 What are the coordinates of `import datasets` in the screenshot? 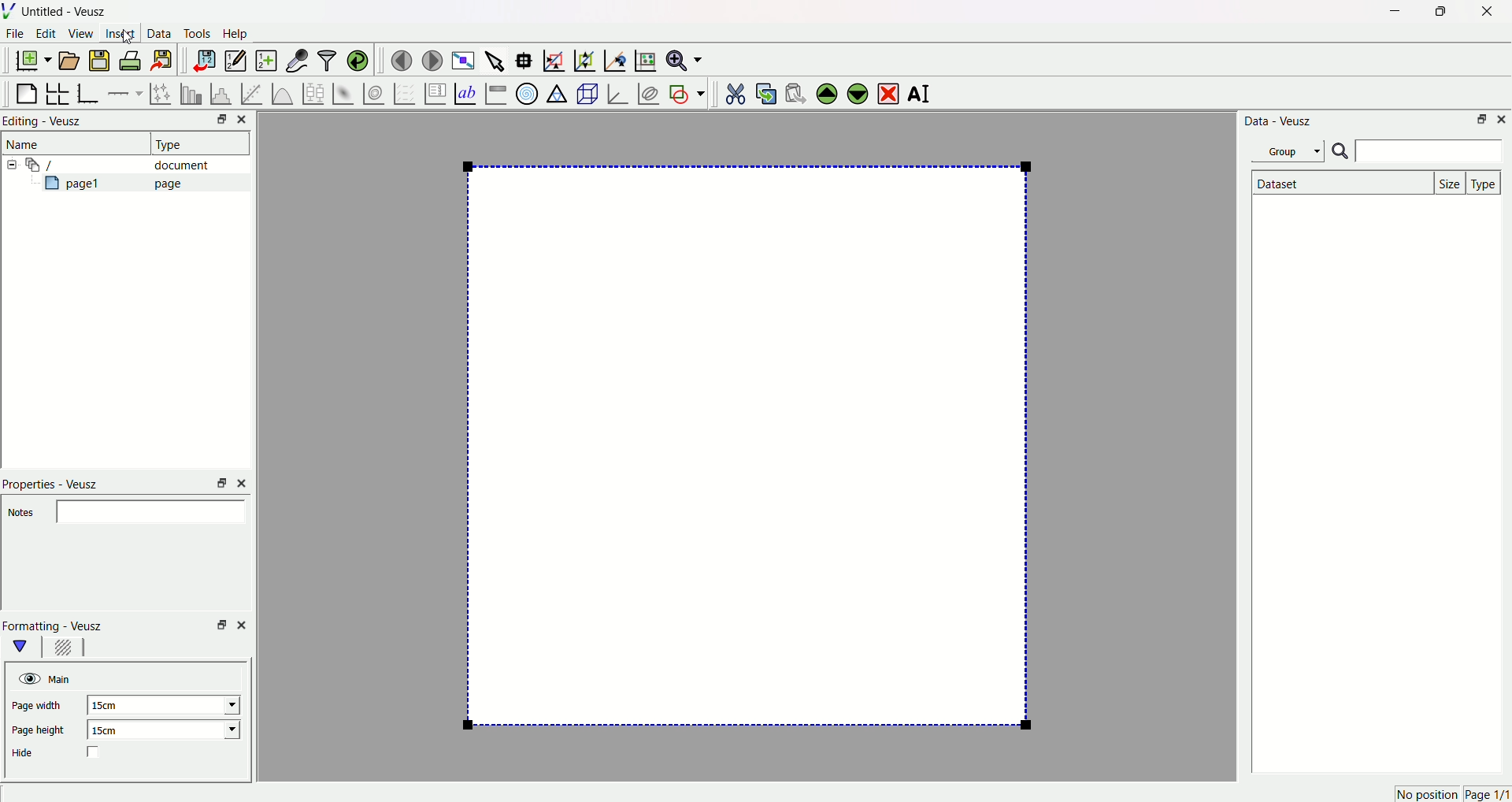 It's located at (204, 60).